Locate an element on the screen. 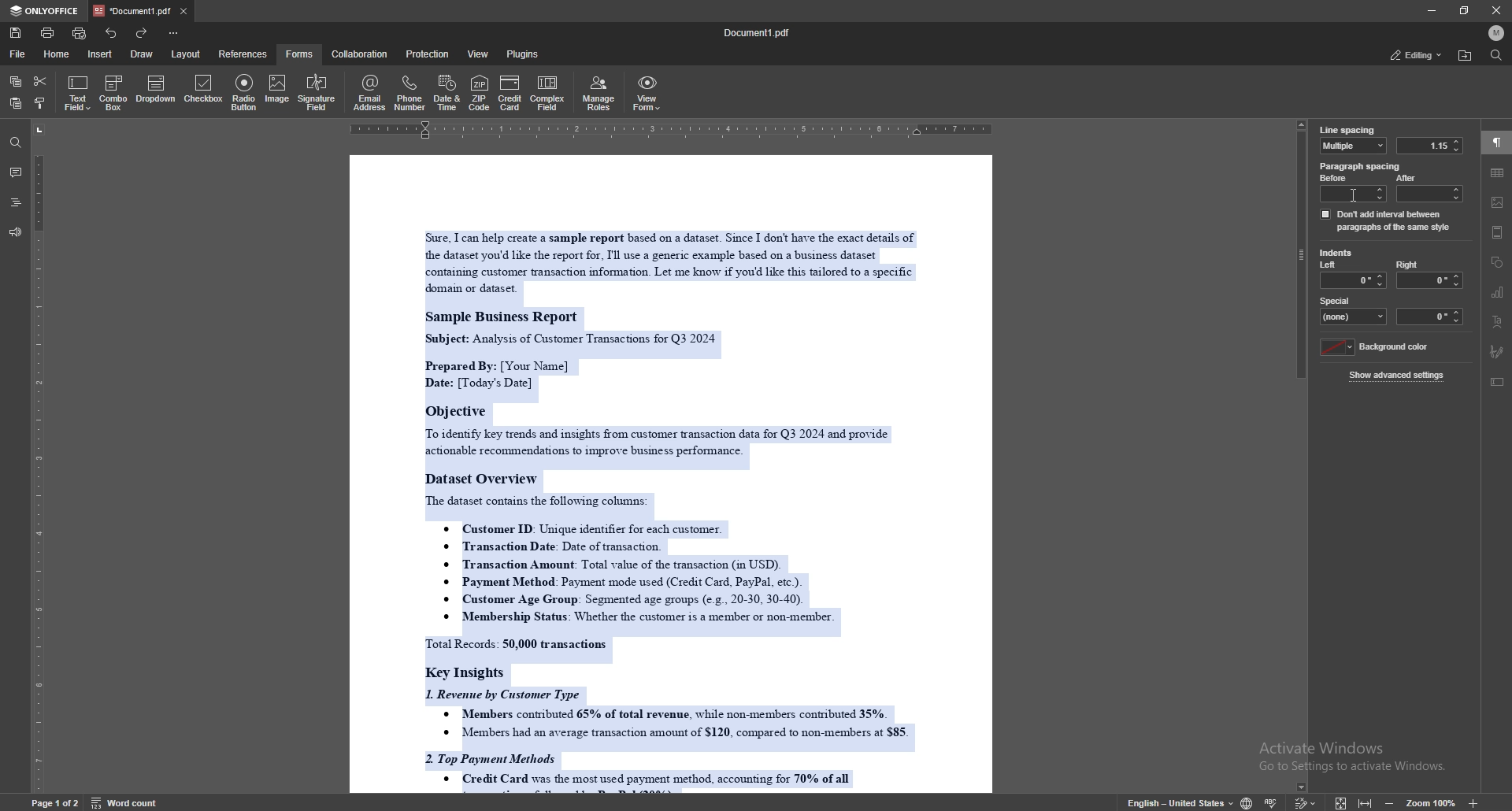 Image resolution: width=1512 pixels, height=811 pixels. text art is located at coordinates (1496, 322).